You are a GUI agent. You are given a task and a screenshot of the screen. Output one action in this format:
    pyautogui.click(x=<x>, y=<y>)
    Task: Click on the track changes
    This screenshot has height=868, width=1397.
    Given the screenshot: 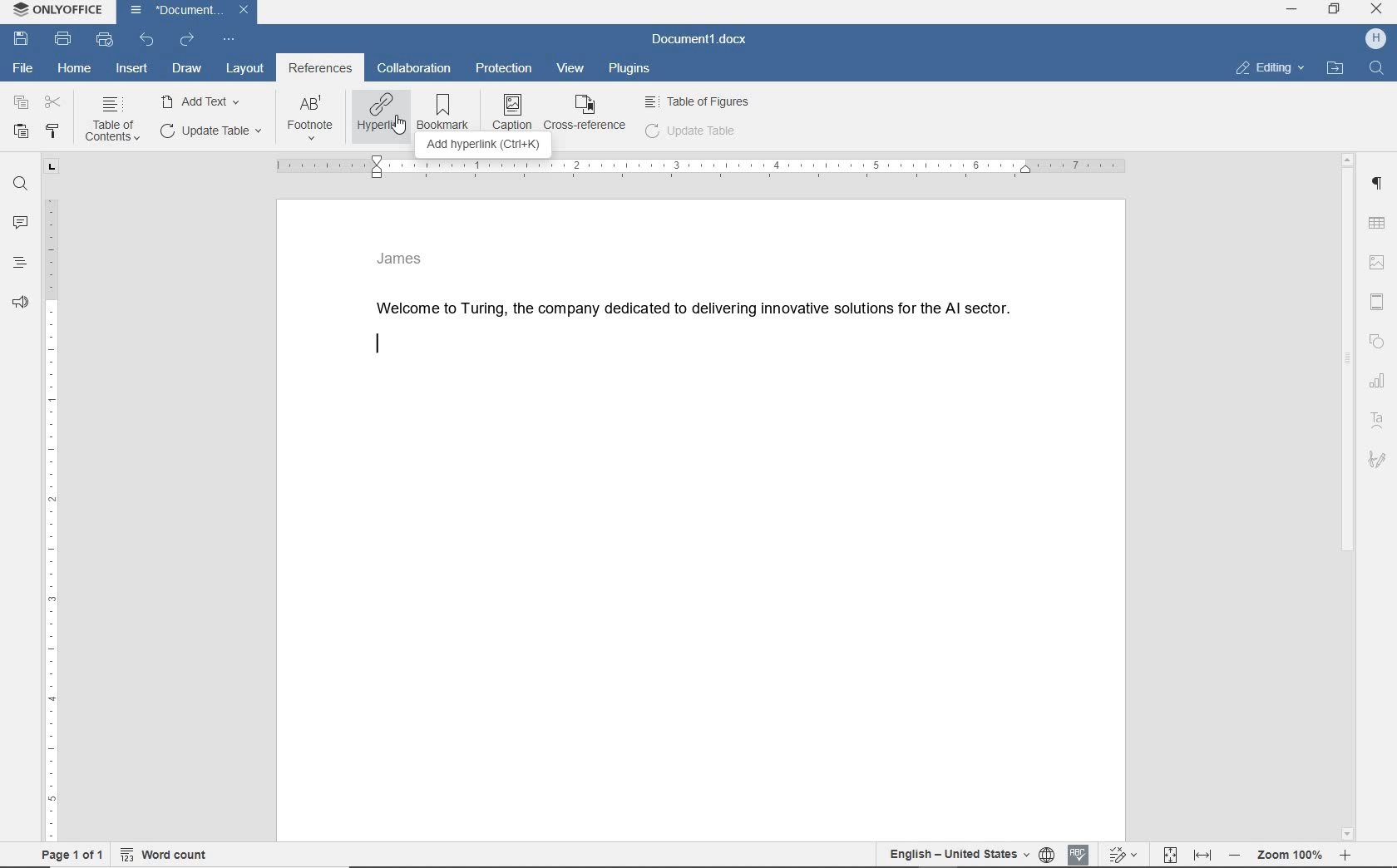 What is the action you would take?
    pyautogui.click(x=1124, y=855)
    